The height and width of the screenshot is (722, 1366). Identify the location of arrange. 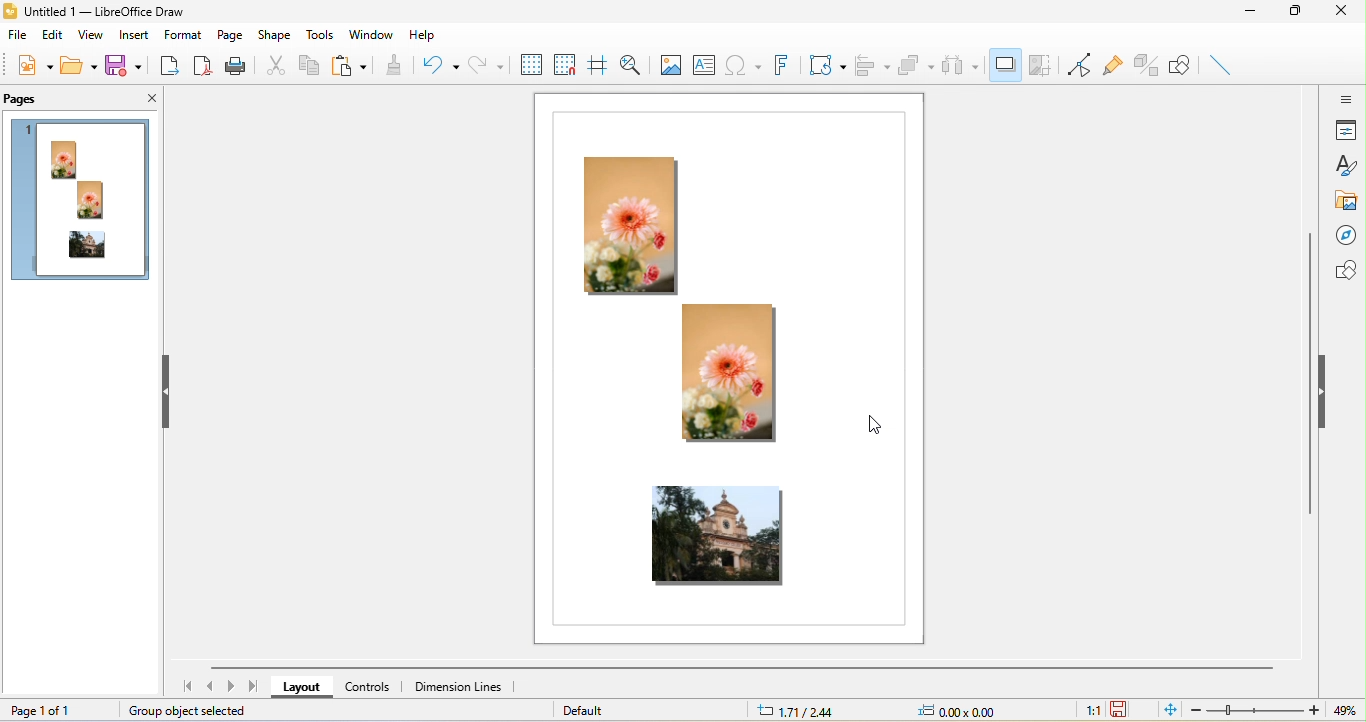
(917, 69).